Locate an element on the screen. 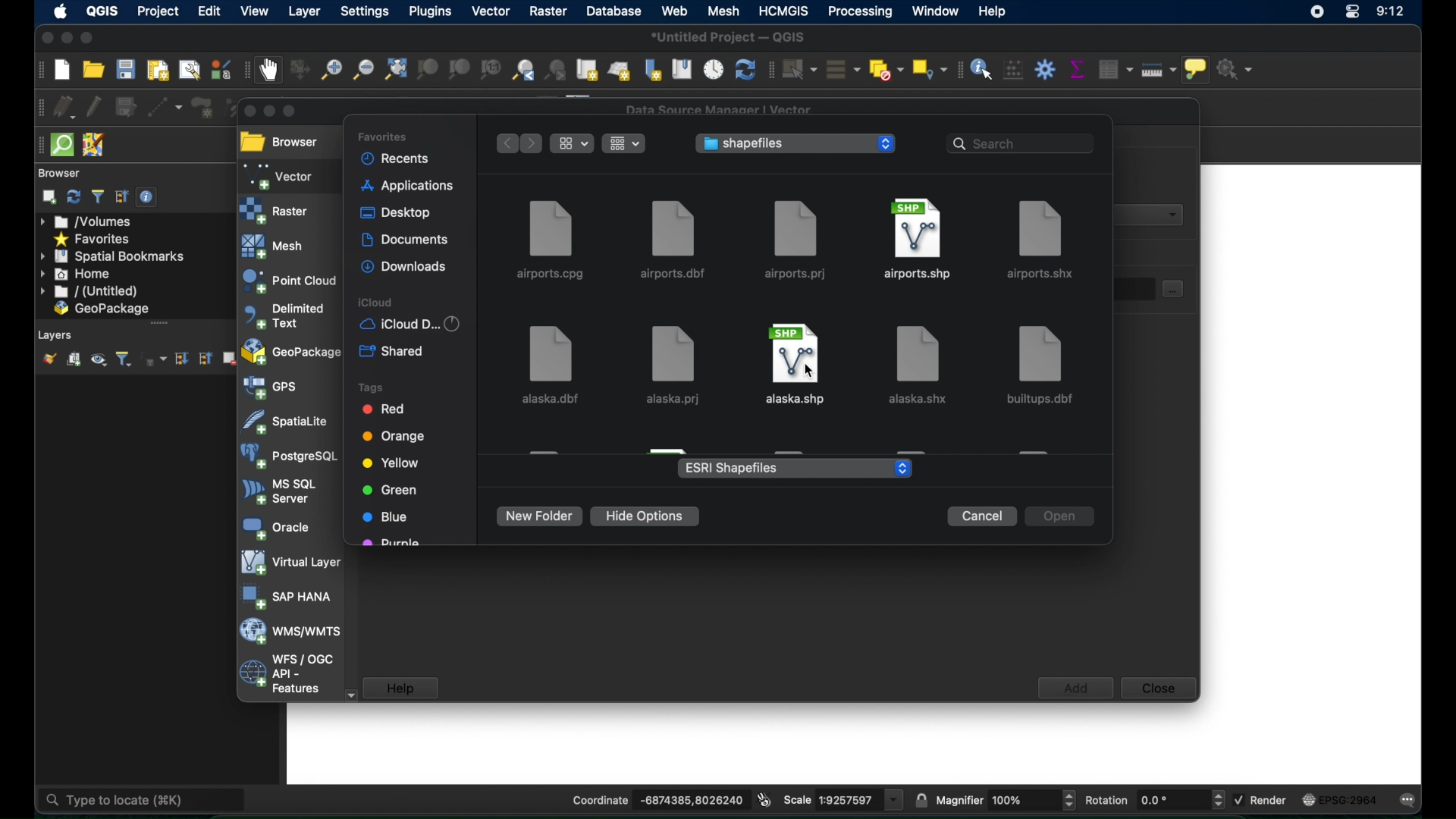 Image resolution: width=1456 pixels, height=819 pixels. favorites is located at coordinates (384, 136).